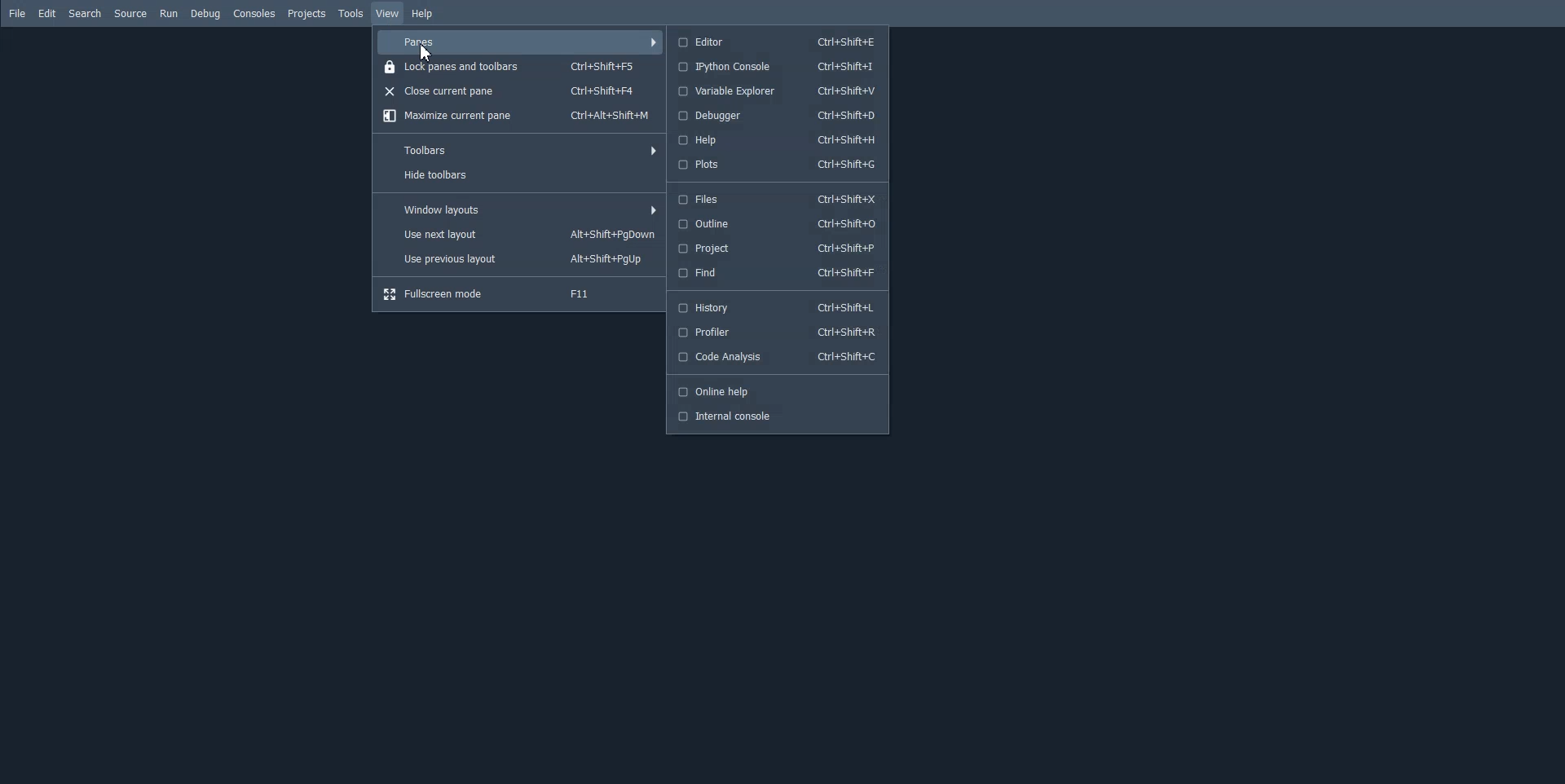 This screenshot has height=784, width=1565. I want to click on Close current pane, so click(519, 90).